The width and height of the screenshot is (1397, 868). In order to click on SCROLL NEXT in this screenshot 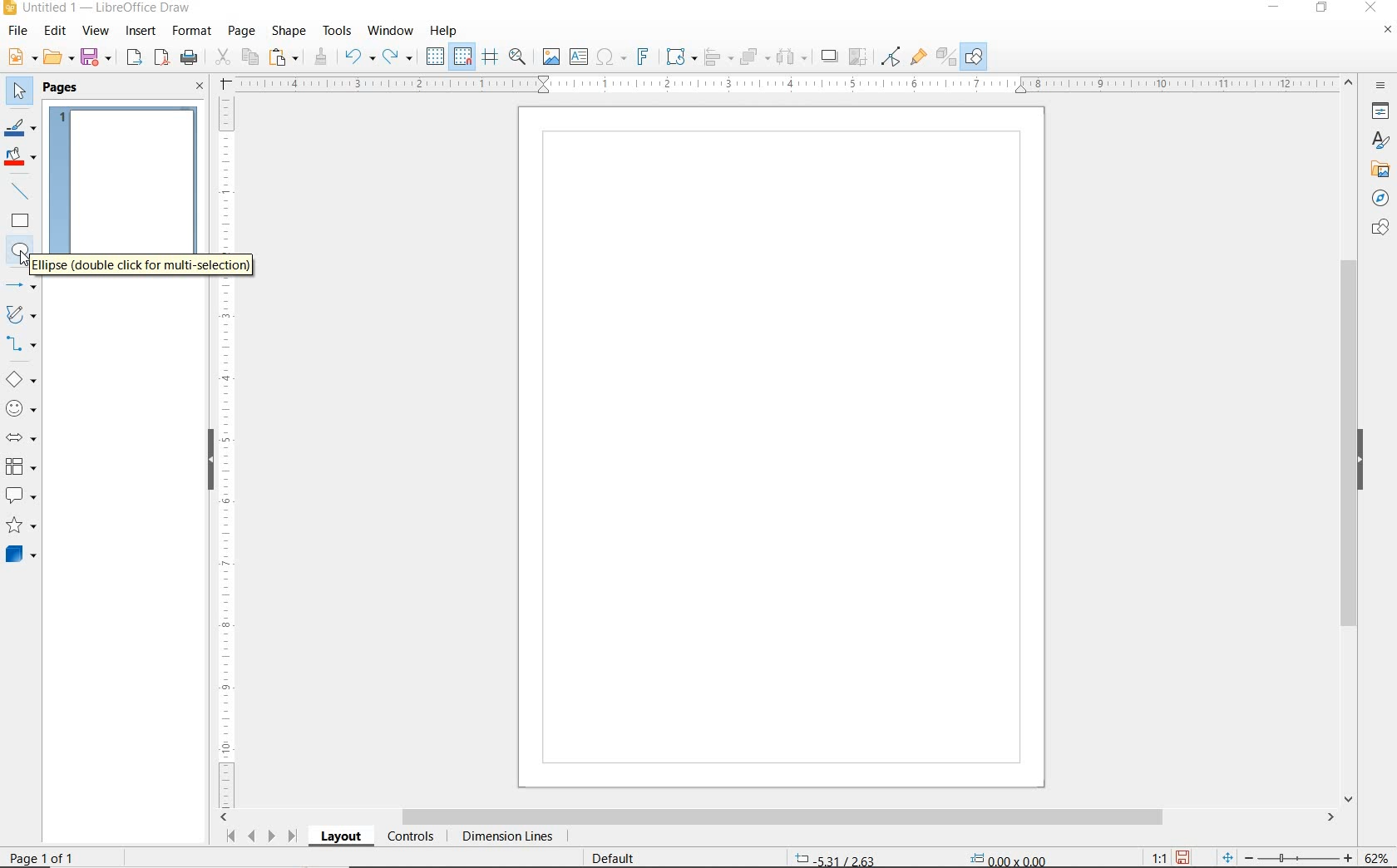, I will do `click(259, 836)`.